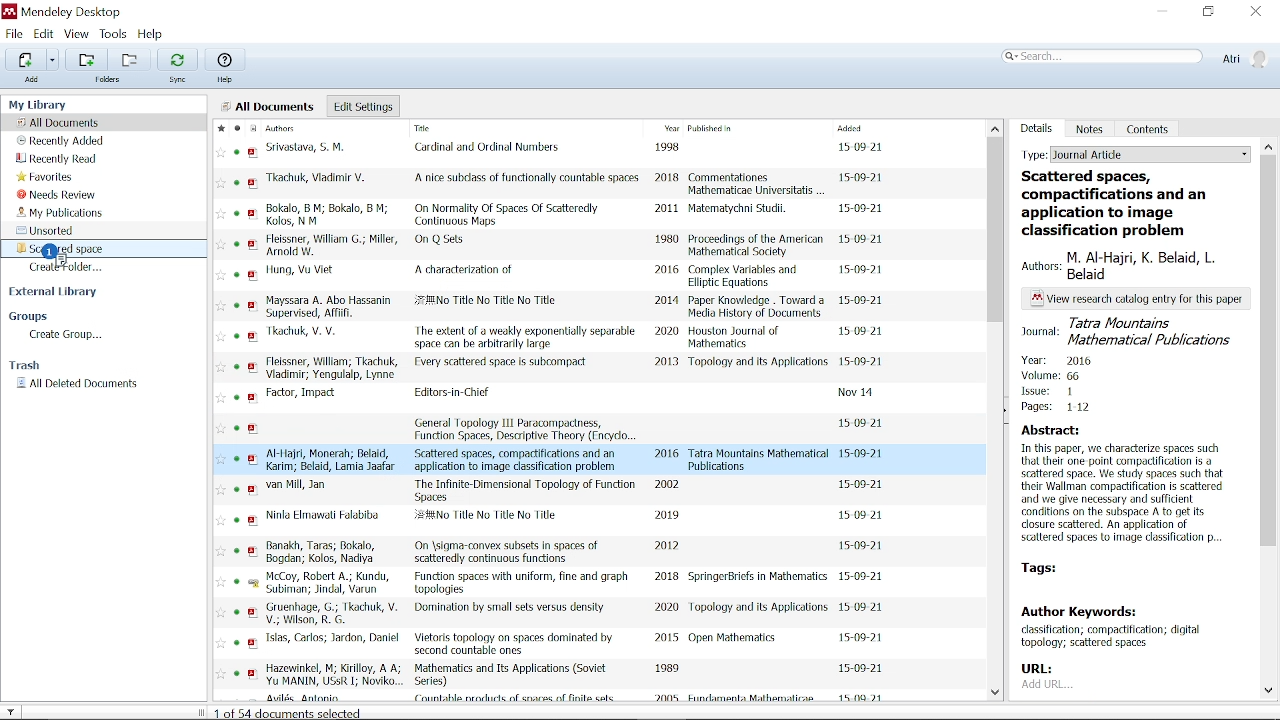 This screenshot has height=720, width=1280. I want to click on Contents, so click(1149, 128).